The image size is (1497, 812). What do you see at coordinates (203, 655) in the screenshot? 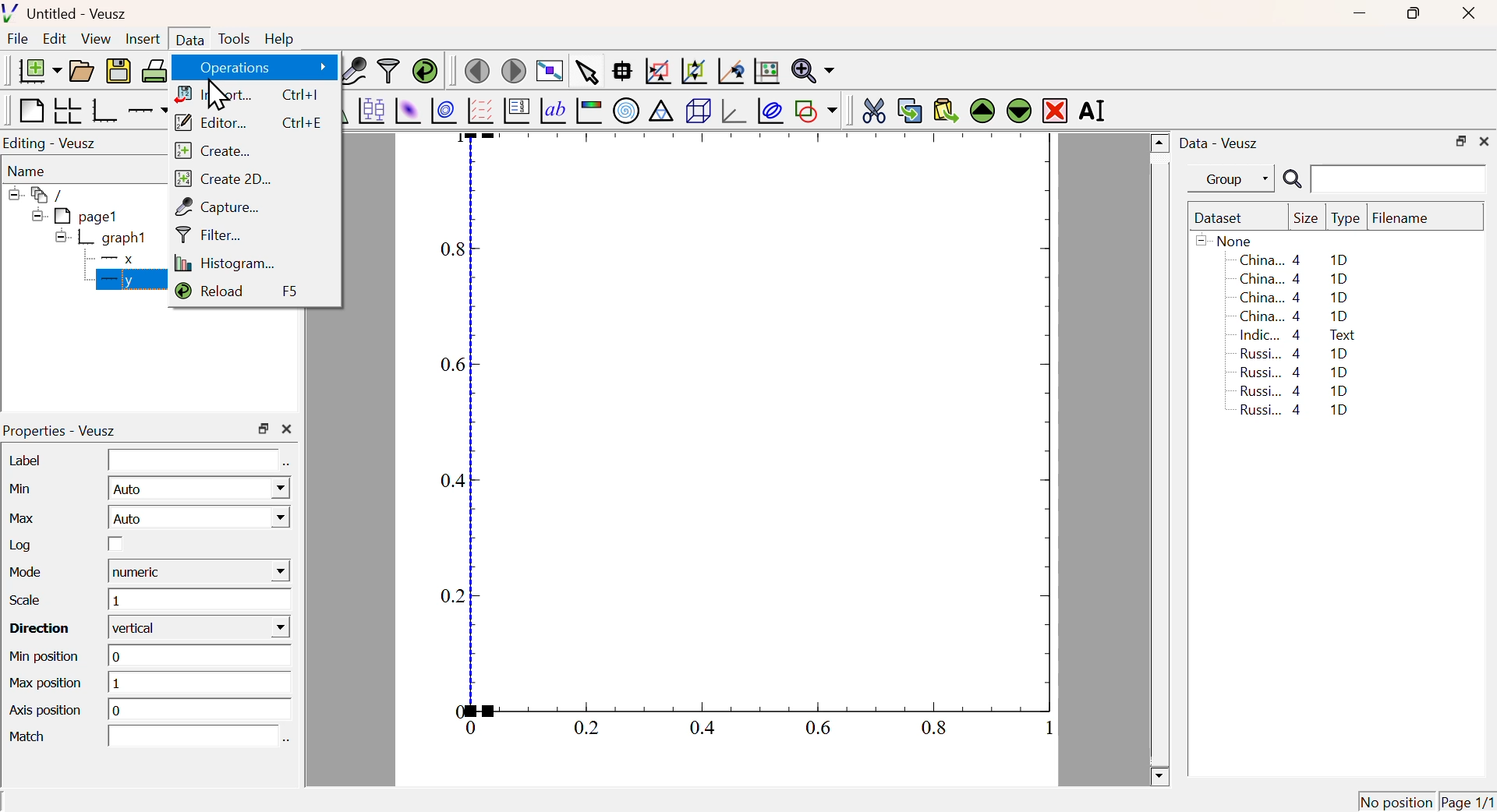
I see `0` at bounding box center [203, 655].